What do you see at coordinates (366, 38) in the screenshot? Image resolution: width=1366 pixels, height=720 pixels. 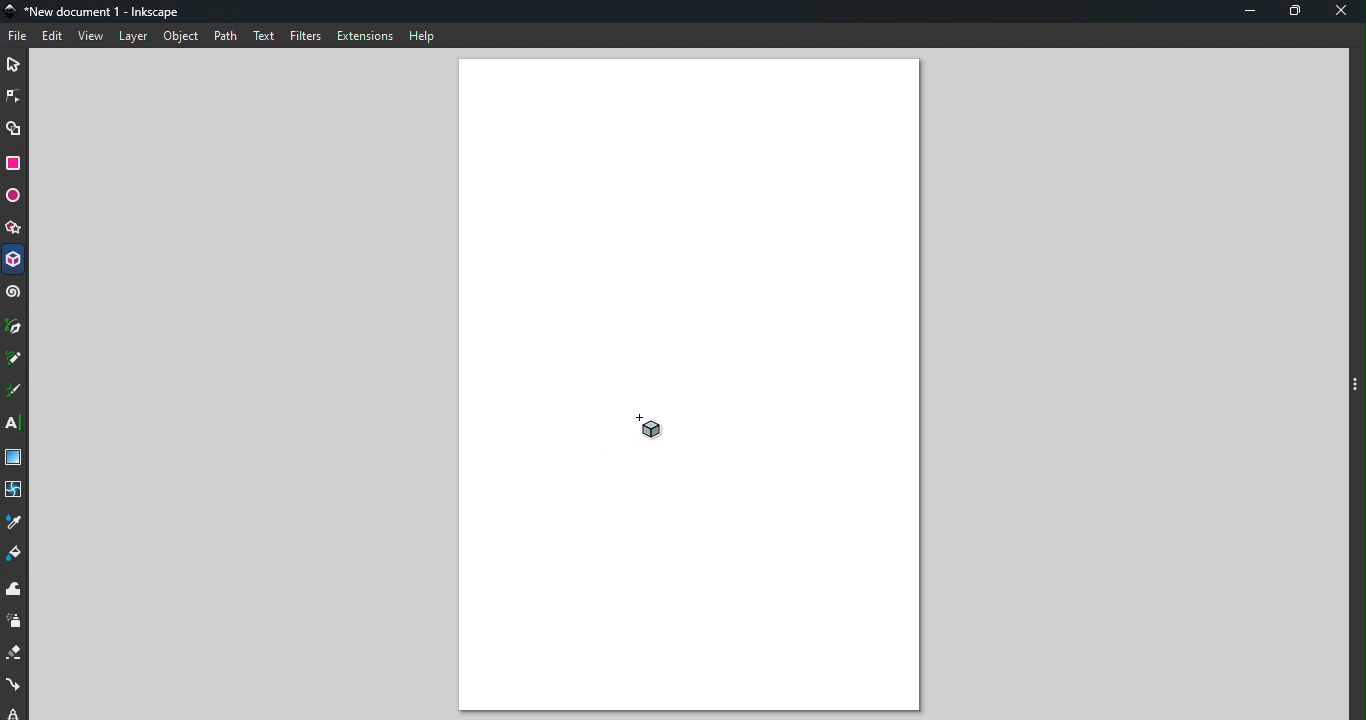 I see `Extensions` at bounding box center [366, 38].